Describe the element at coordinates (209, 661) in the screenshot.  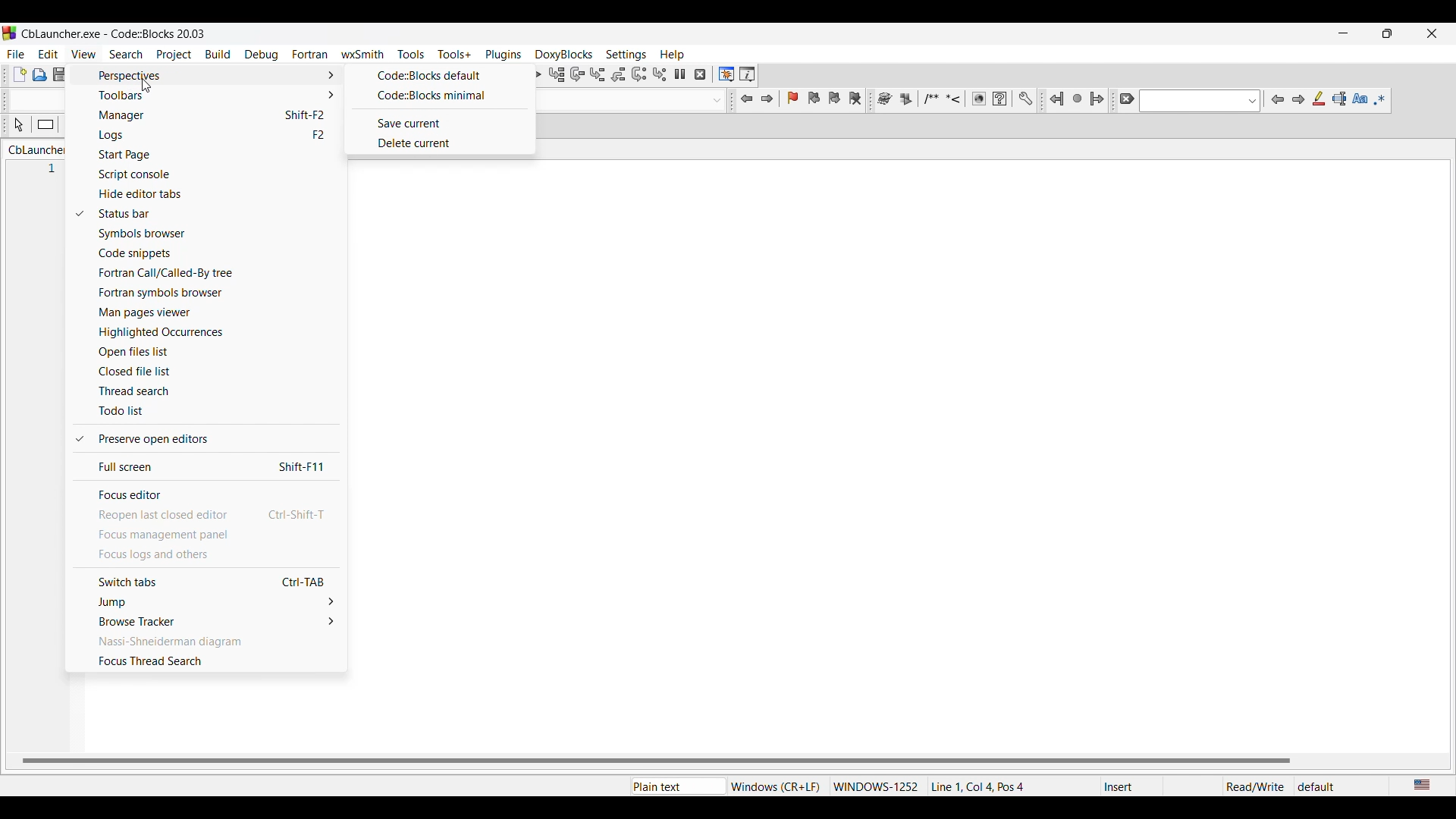
I see `Focus thread search` at that location.